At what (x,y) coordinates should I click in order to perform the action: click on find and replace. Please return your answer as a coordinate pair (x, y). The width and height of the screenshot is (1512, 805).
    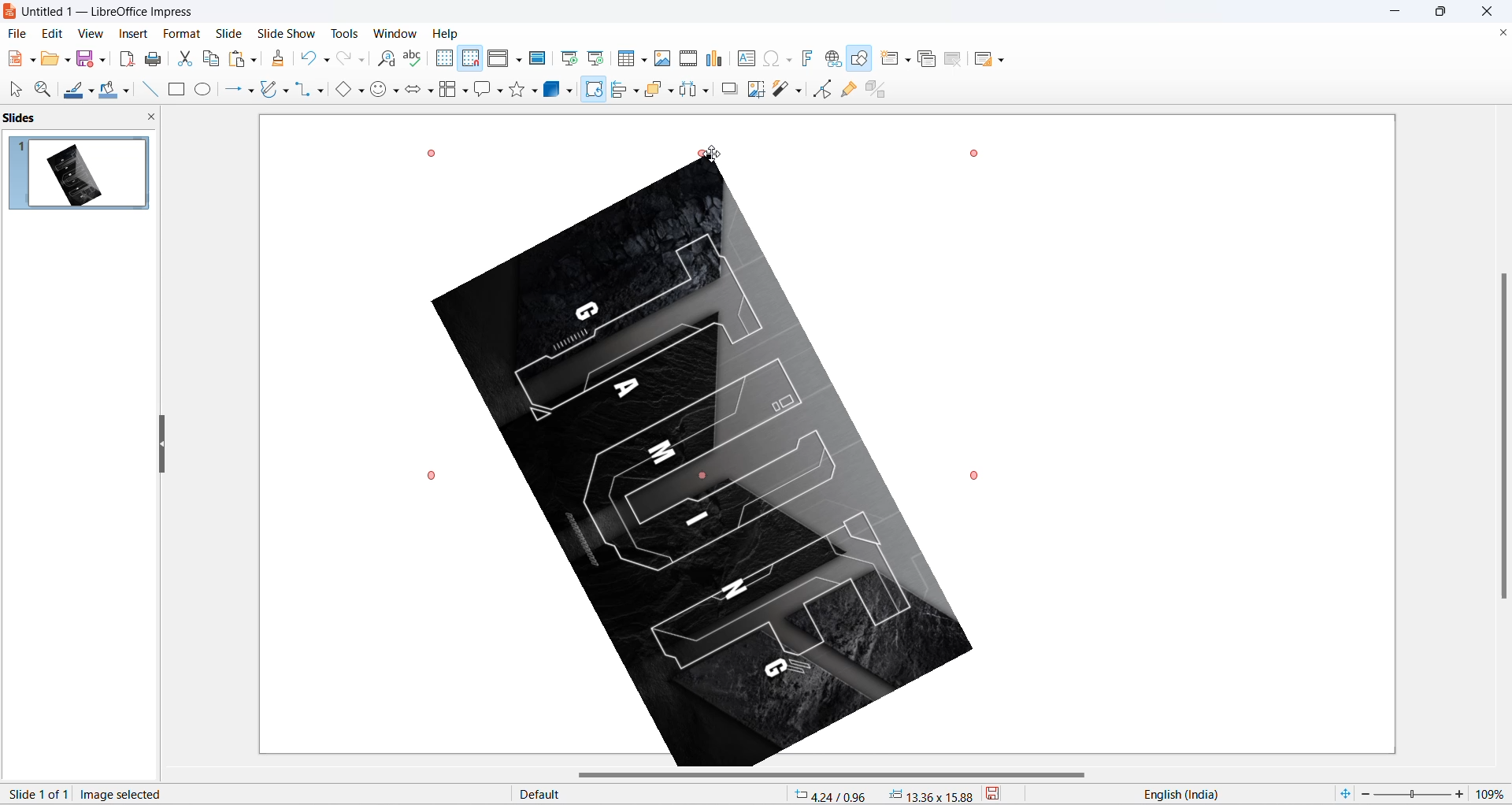
    Looking at the image, I should click on (389, 59).